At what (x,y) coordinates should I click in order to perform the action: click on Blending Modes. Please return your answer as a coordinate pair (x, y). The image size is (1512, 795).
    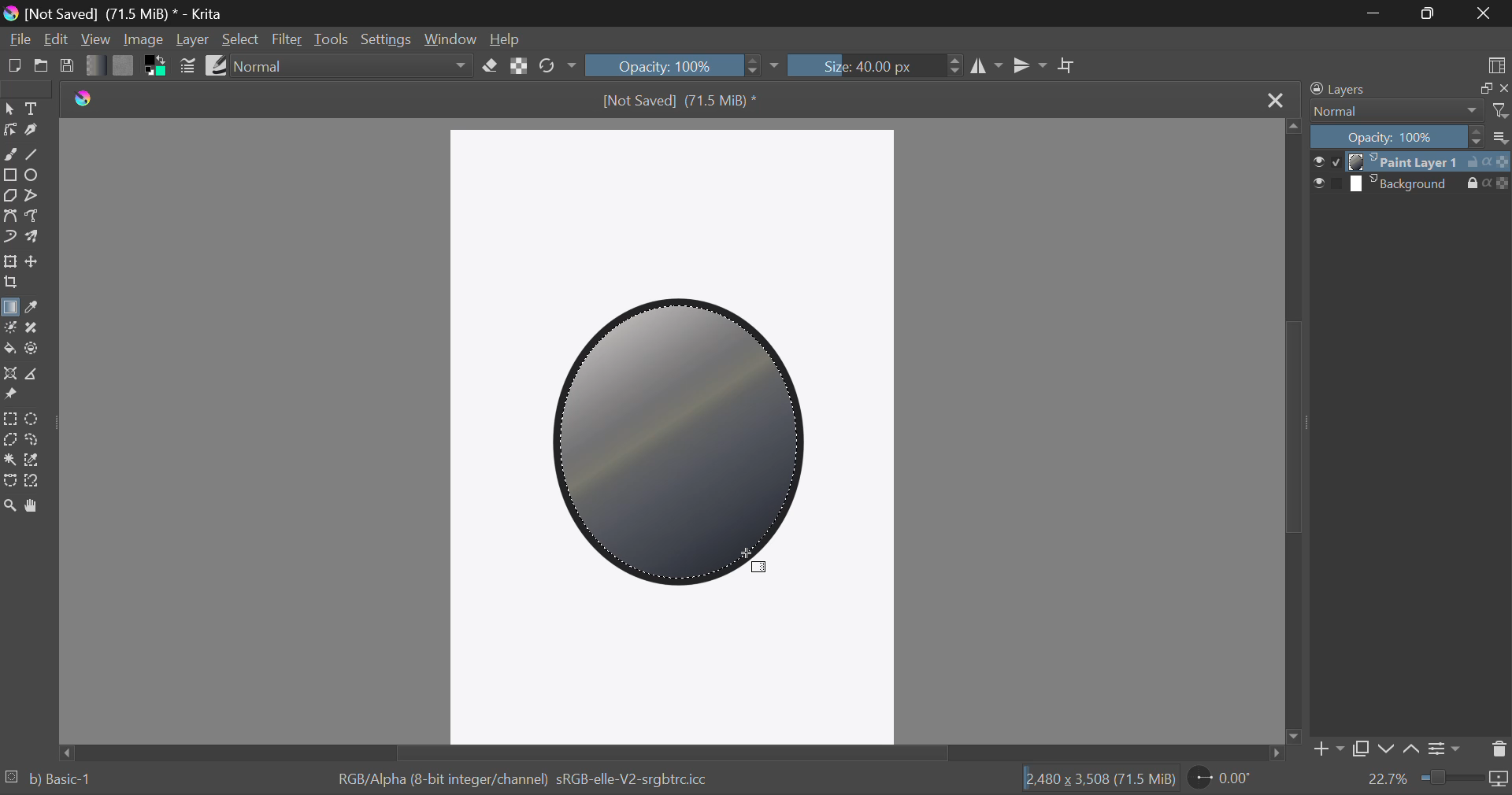
    Looking at the image, I should click on (350, 65).